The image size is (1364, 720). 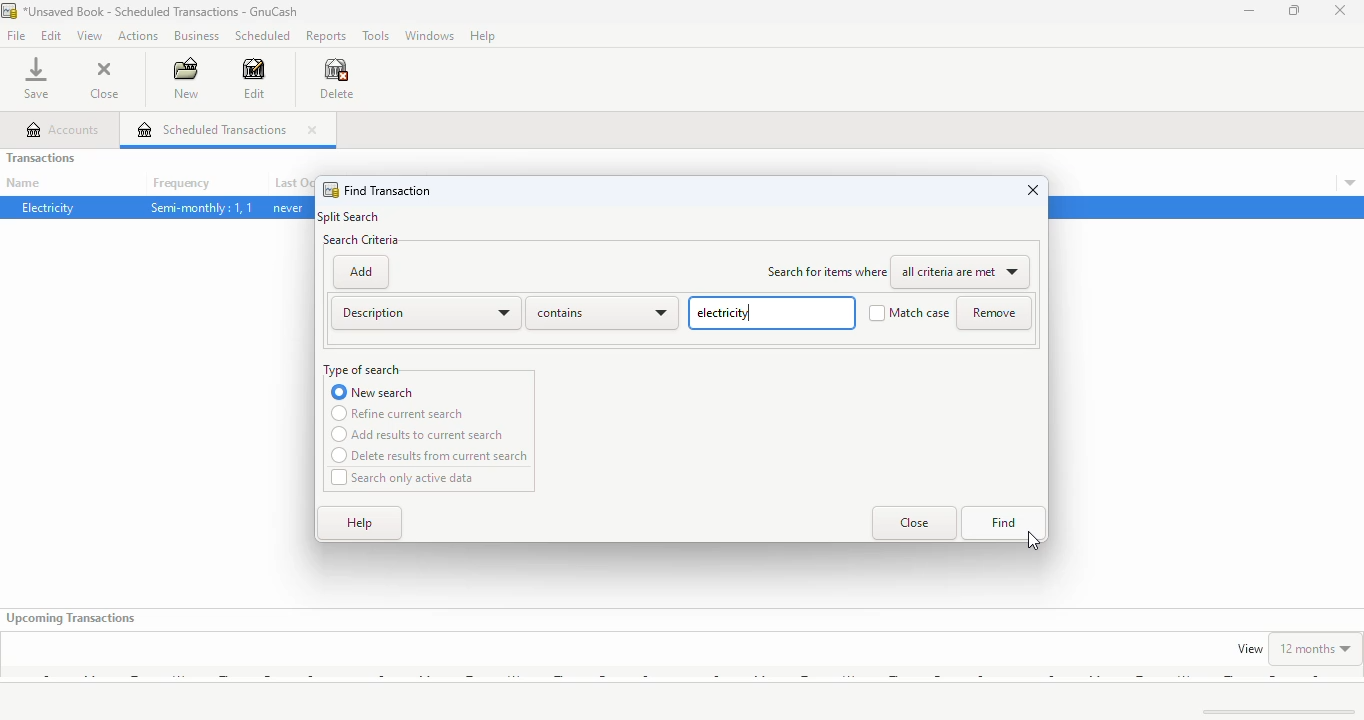 What do you see at coordinates (263, 36) in the screenshot?
I see `scheduled` at bounding box center [263, 36].